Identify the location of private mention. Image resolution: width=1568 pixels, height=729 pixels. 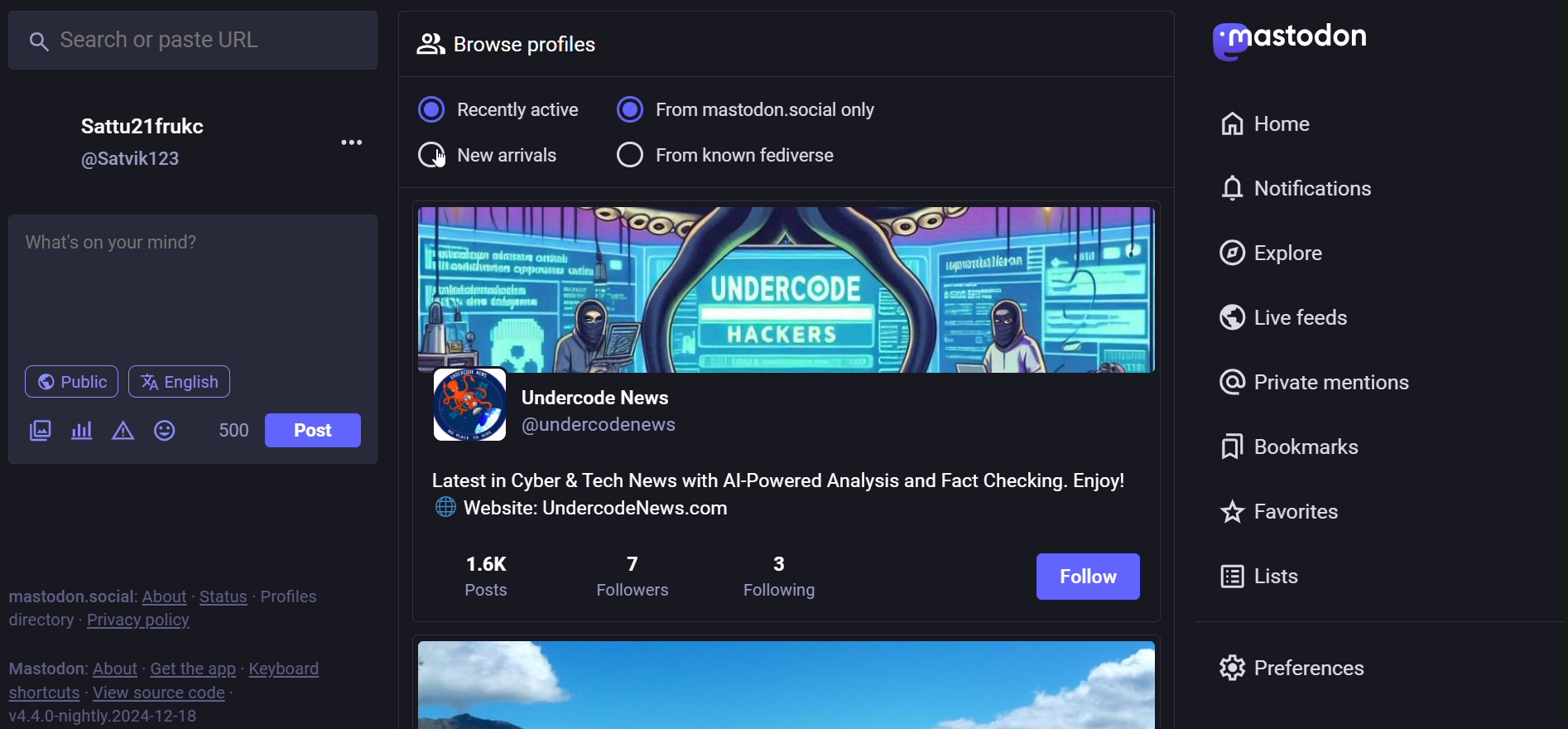
(1321, 384).